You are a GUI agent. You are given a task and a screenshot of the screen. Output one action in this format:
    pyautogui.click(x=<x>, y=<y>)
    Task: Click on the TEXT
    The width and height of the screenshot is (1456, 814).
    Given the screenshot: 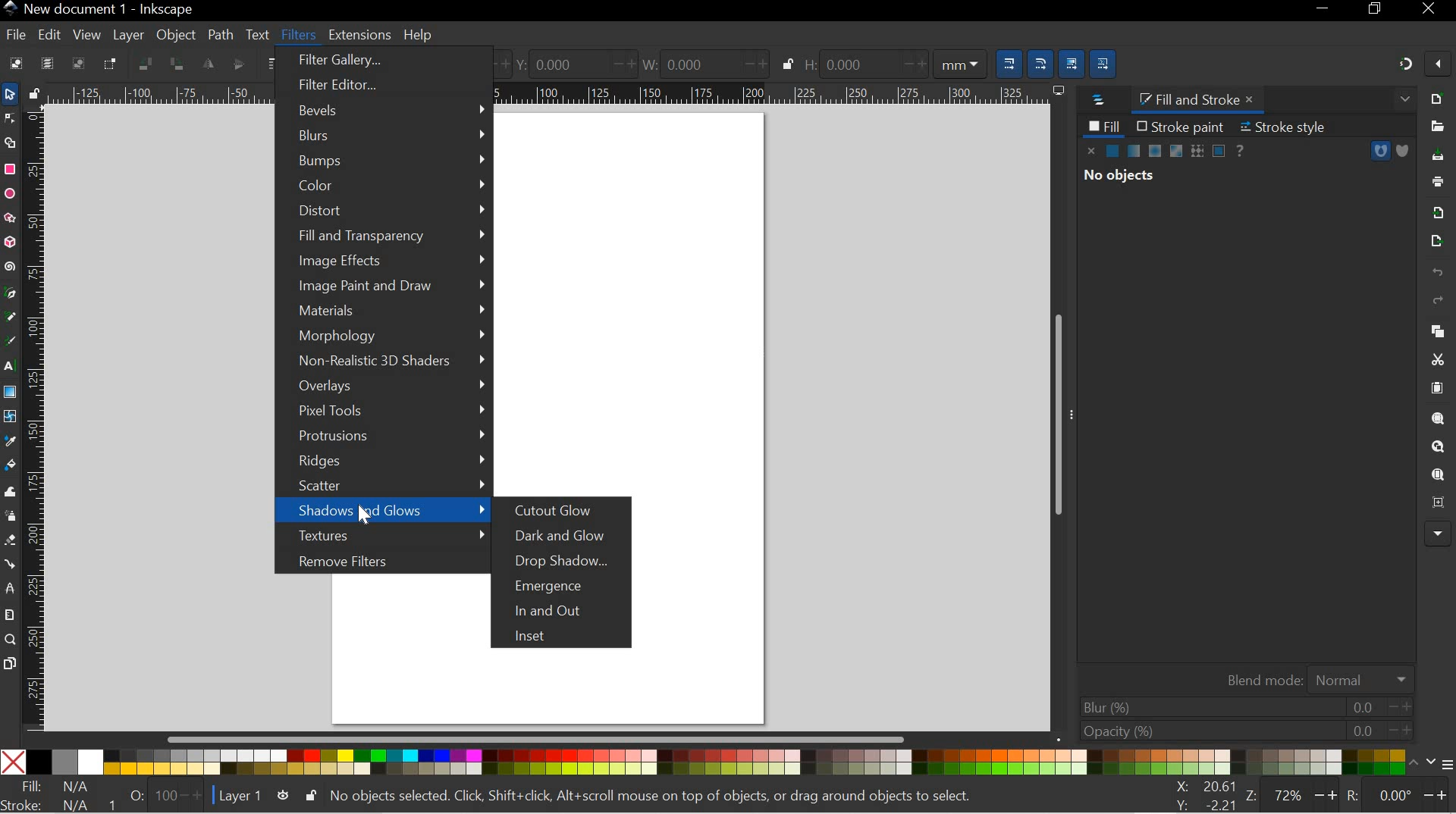 What is the action you would take?
    pyautogui.click(x=258, y=33)
    